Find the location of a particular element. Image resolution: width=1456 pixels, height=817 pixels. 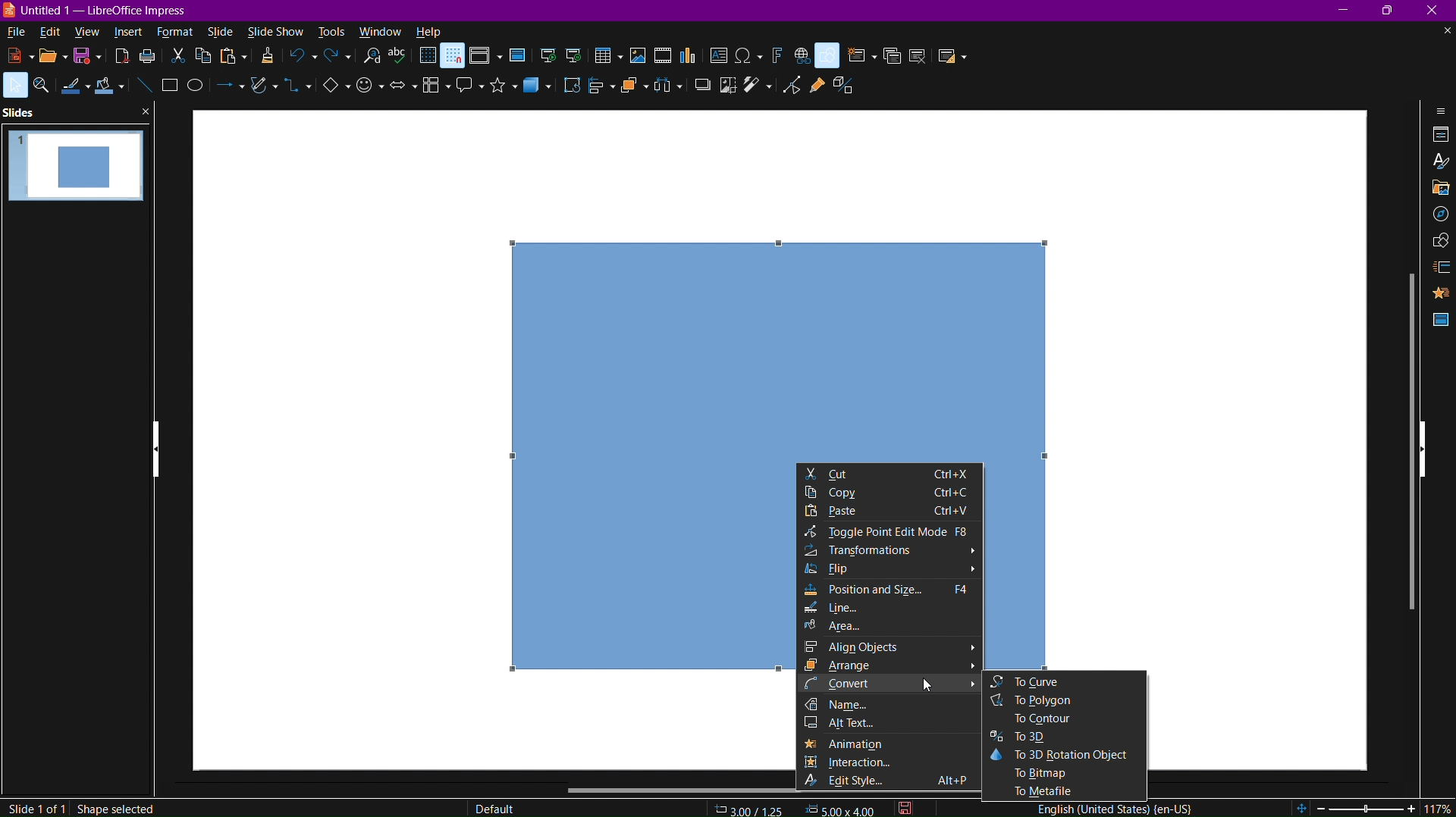

Align Objects is located at coordinates (598, 91).